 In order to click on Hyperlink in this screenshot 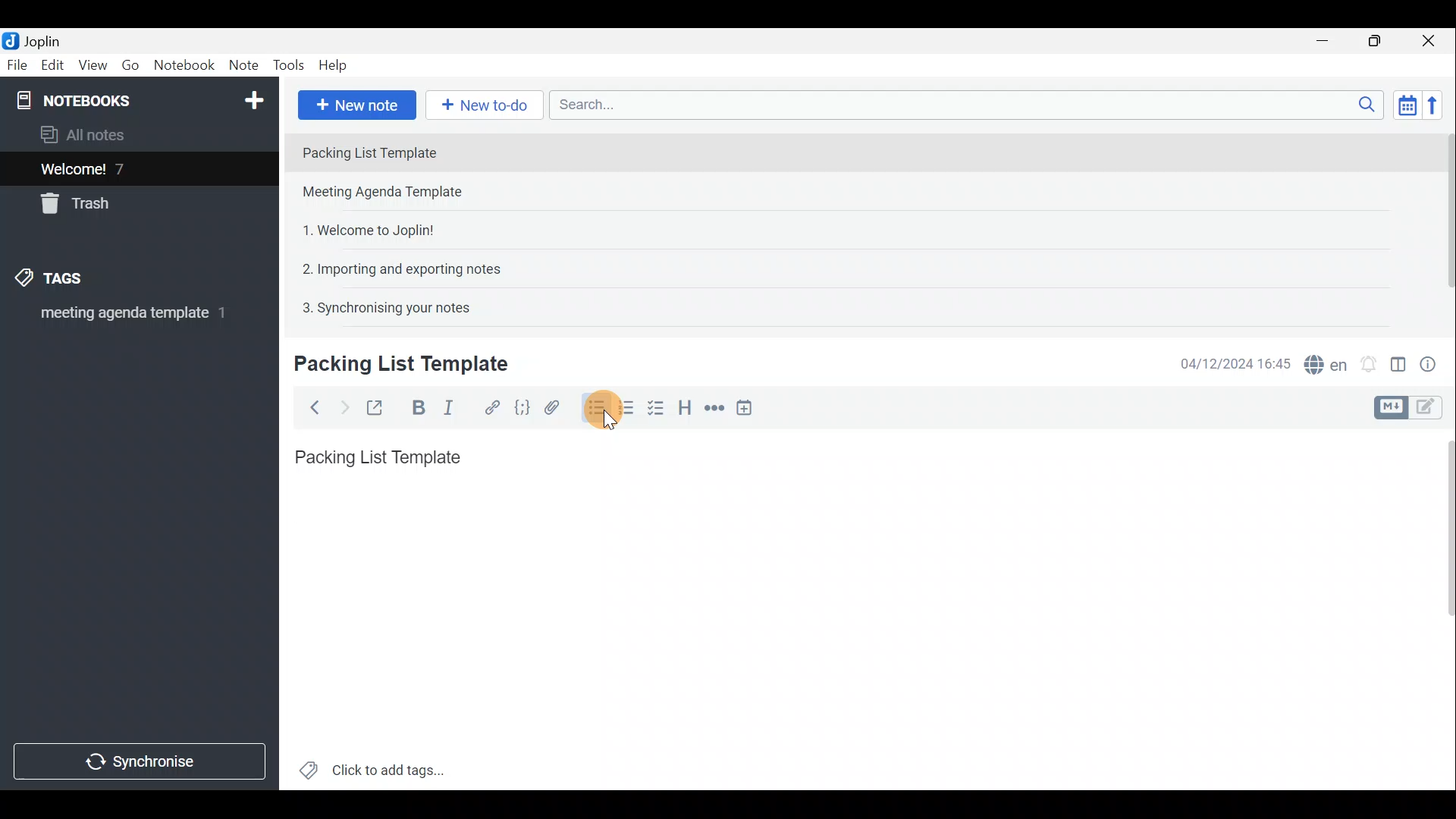, I will do `click(489, 406)`.